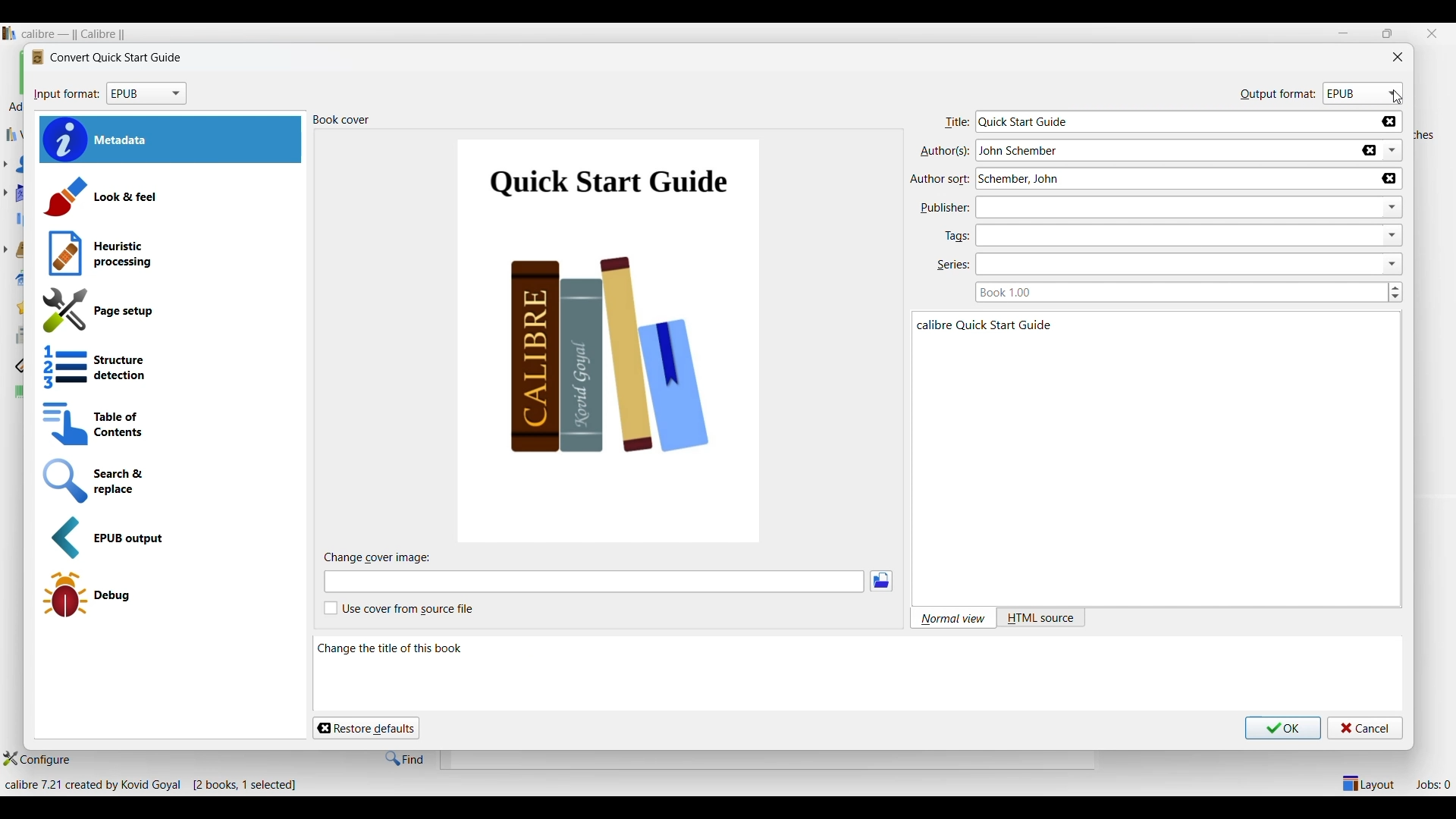 This screenshot has height=819, width=1456. What do you see at coordinates (1179, 292) in the screenshot?
I see `Type in book series` at bounding box center [1179, 292].